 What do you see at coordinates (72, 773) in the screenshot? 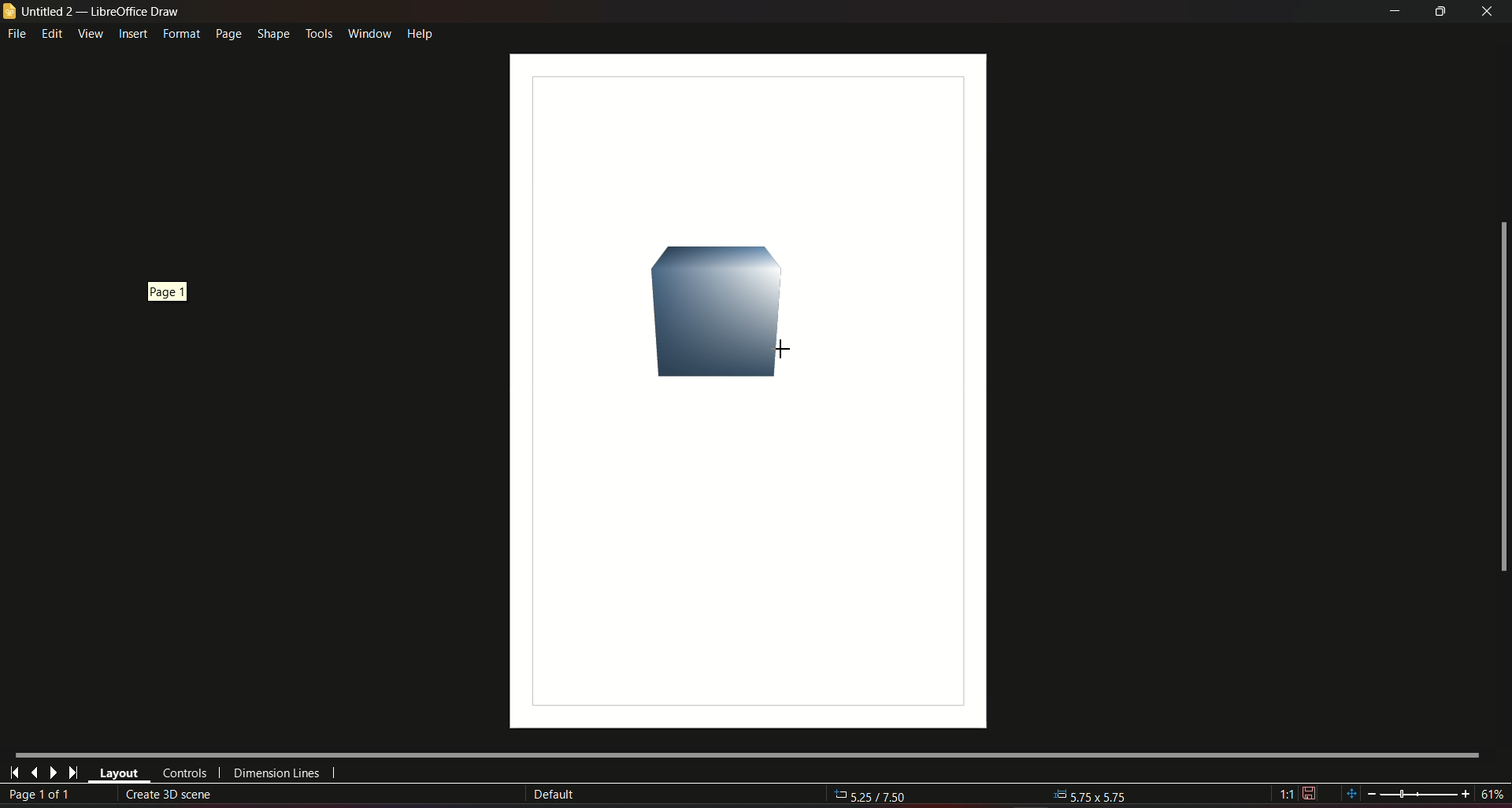
I see `last page` at bounding box center [72, 773].